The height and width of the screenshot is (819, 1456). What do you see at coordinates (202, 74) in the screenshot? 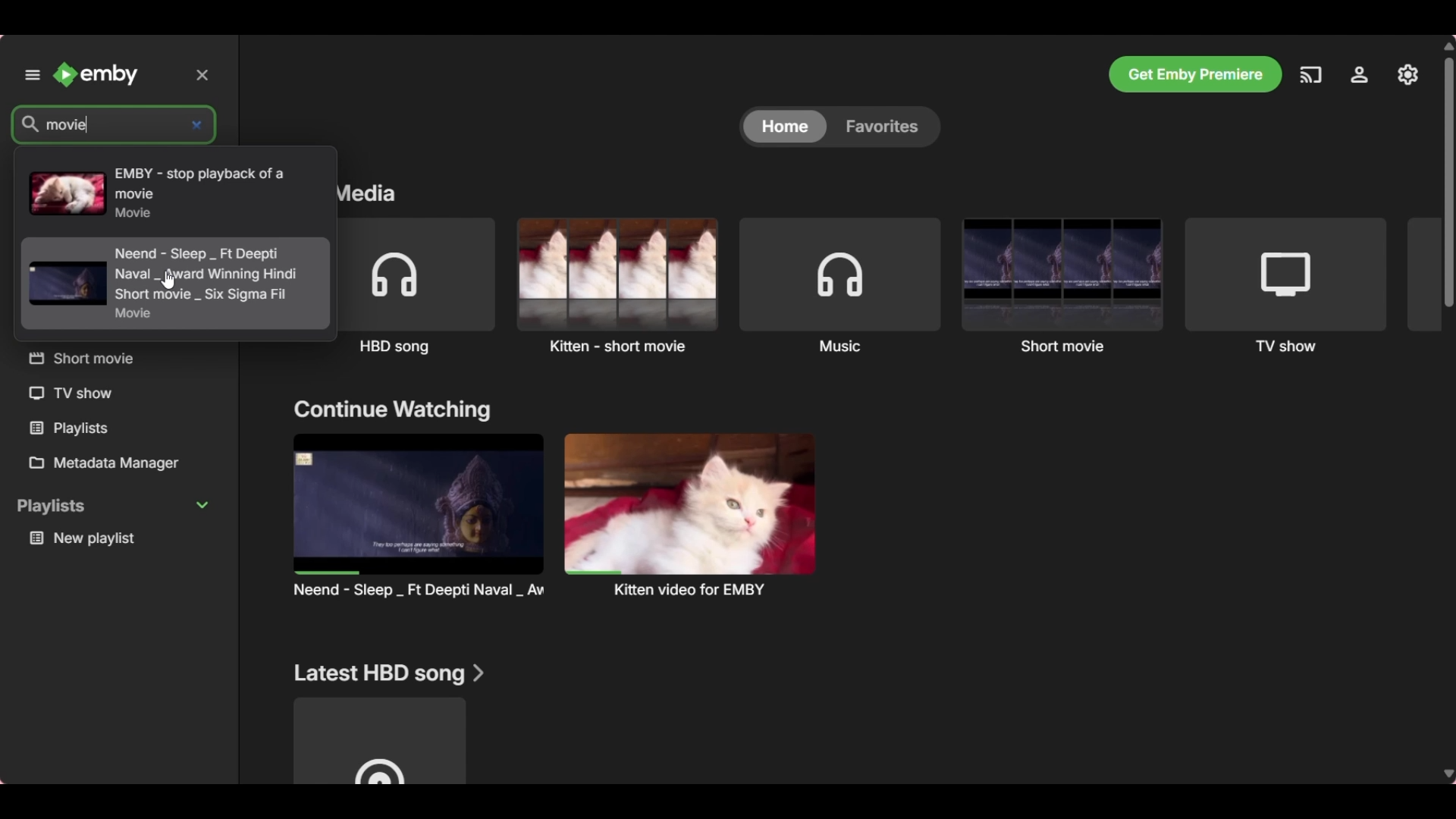
I see `Delete inputs` at bounding box center [202, 74].